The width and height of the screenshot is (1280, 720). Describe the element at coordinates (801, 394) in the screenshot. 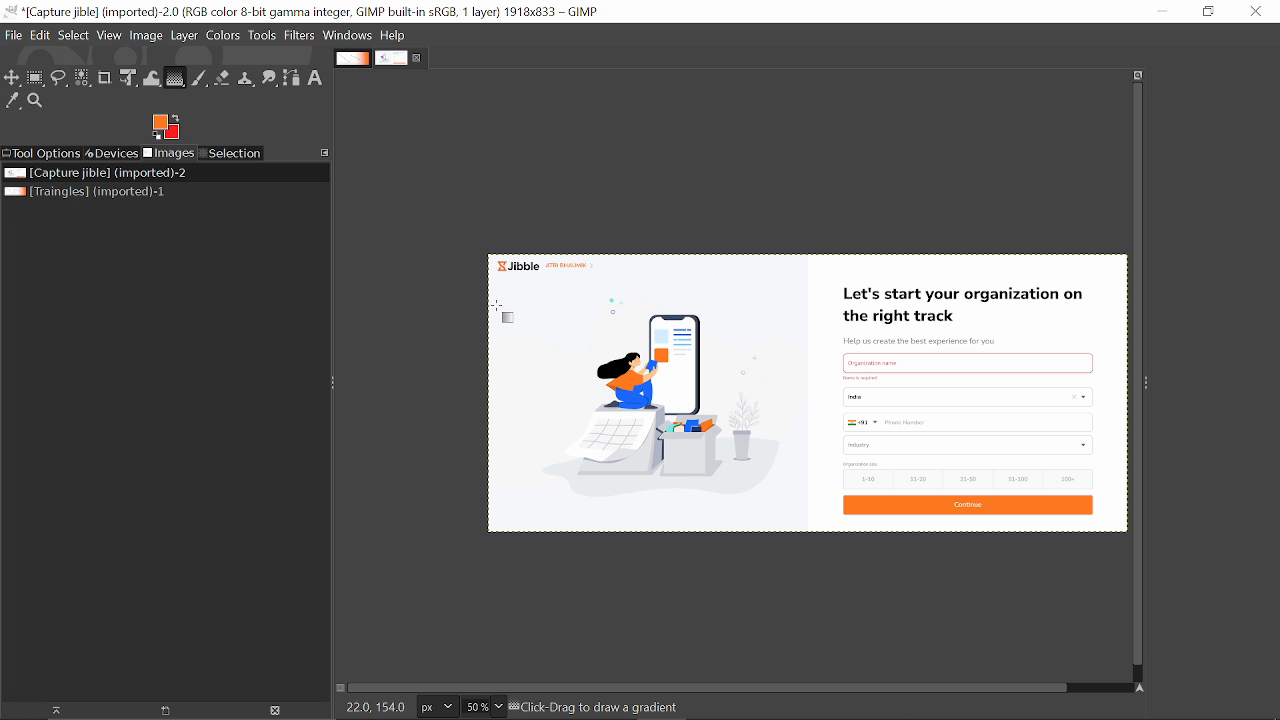

I see `current image` at that location.